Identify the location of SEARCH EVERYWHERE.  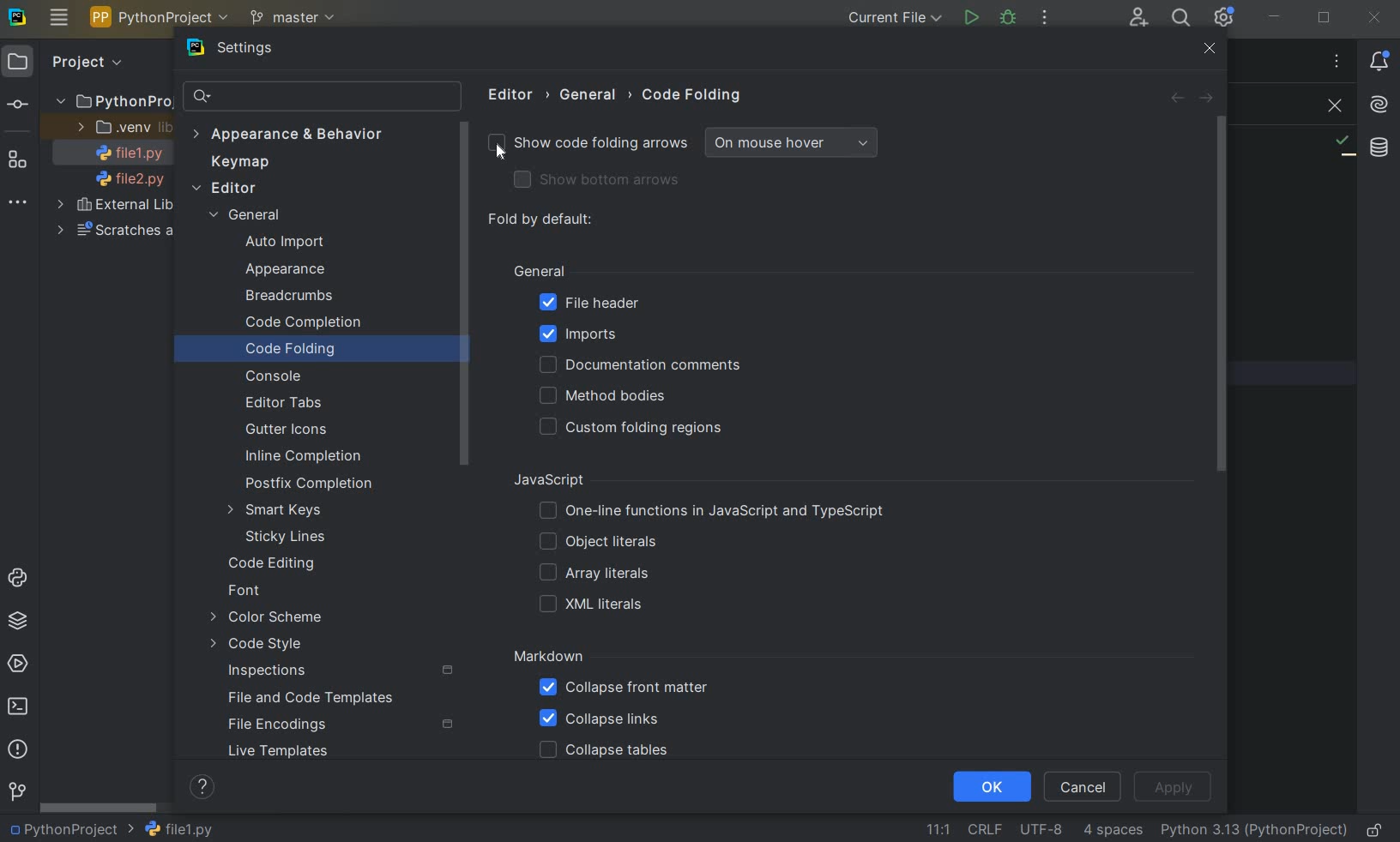
(1180, 18).